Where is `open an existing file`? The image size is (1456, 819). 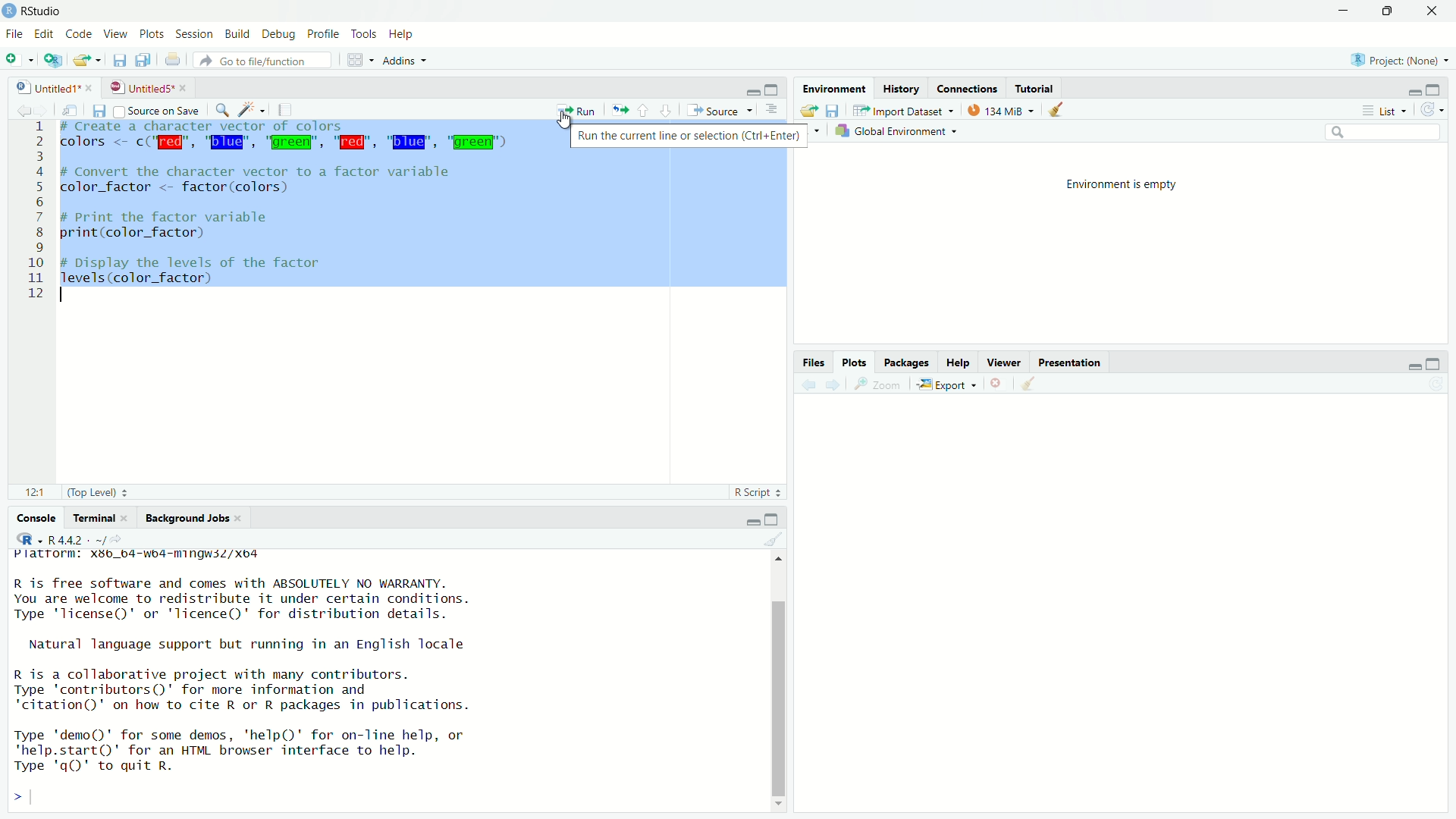
open an existing file is located at coordinates (88, 60).